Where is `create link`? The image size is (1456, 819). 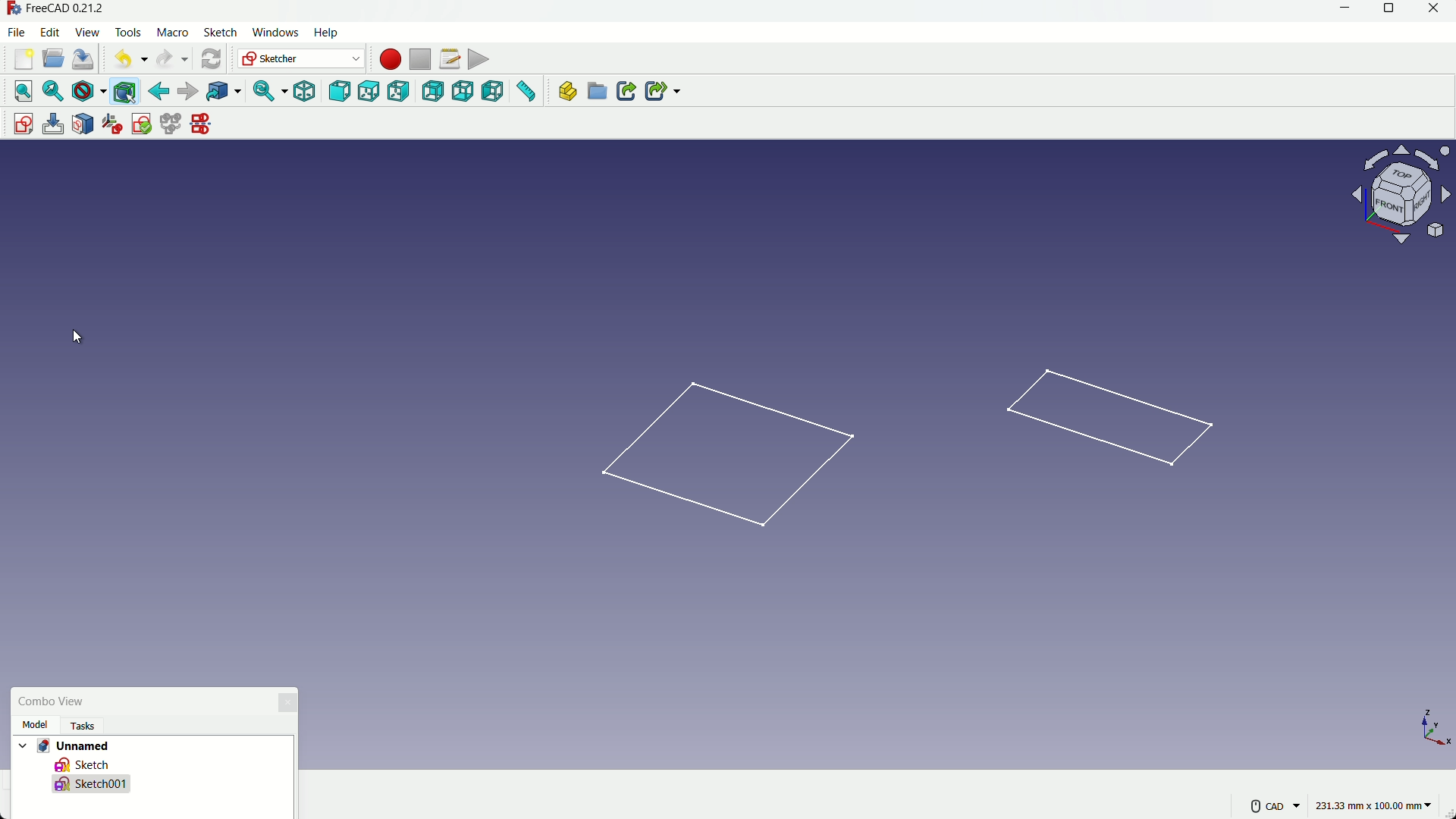 create link is located at coordinates (626, 91).